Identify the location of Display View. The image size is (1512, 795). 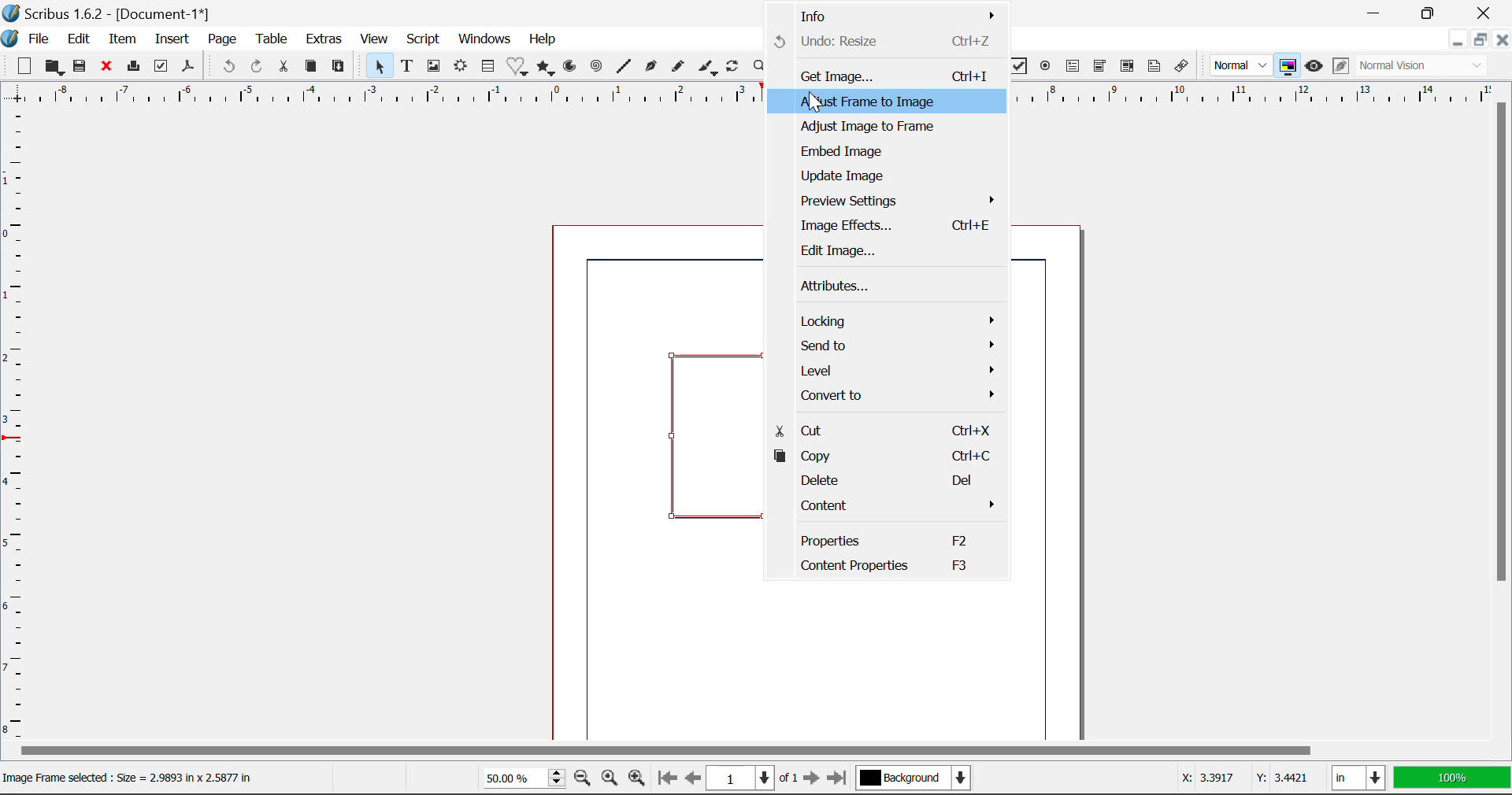
(1447, 777).